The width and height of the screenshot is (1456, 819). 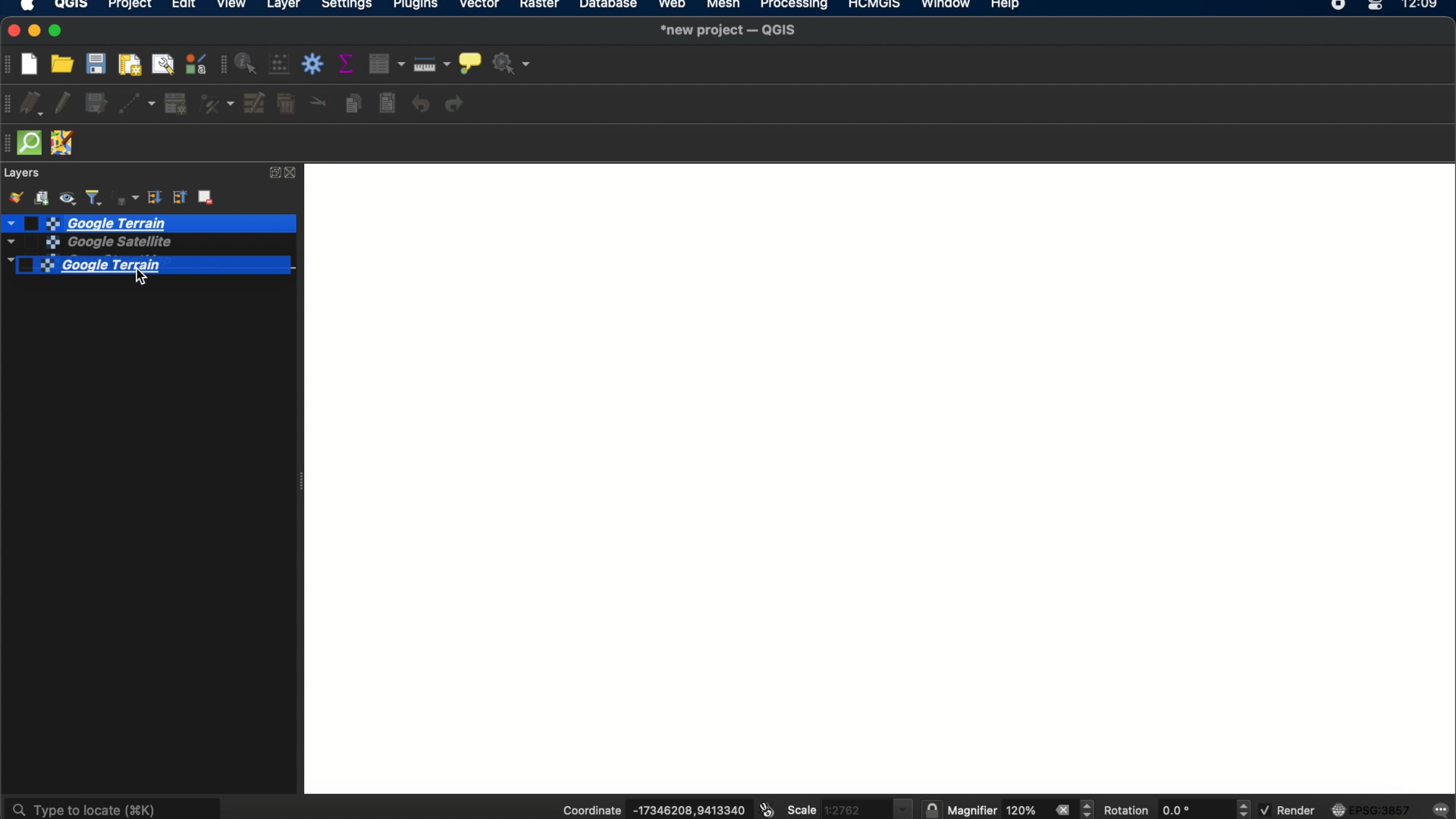 What do you see at coordinates (1374, 809) in the screenshot?
I see `EPSG:3857` at bounding box center [1374, 809].